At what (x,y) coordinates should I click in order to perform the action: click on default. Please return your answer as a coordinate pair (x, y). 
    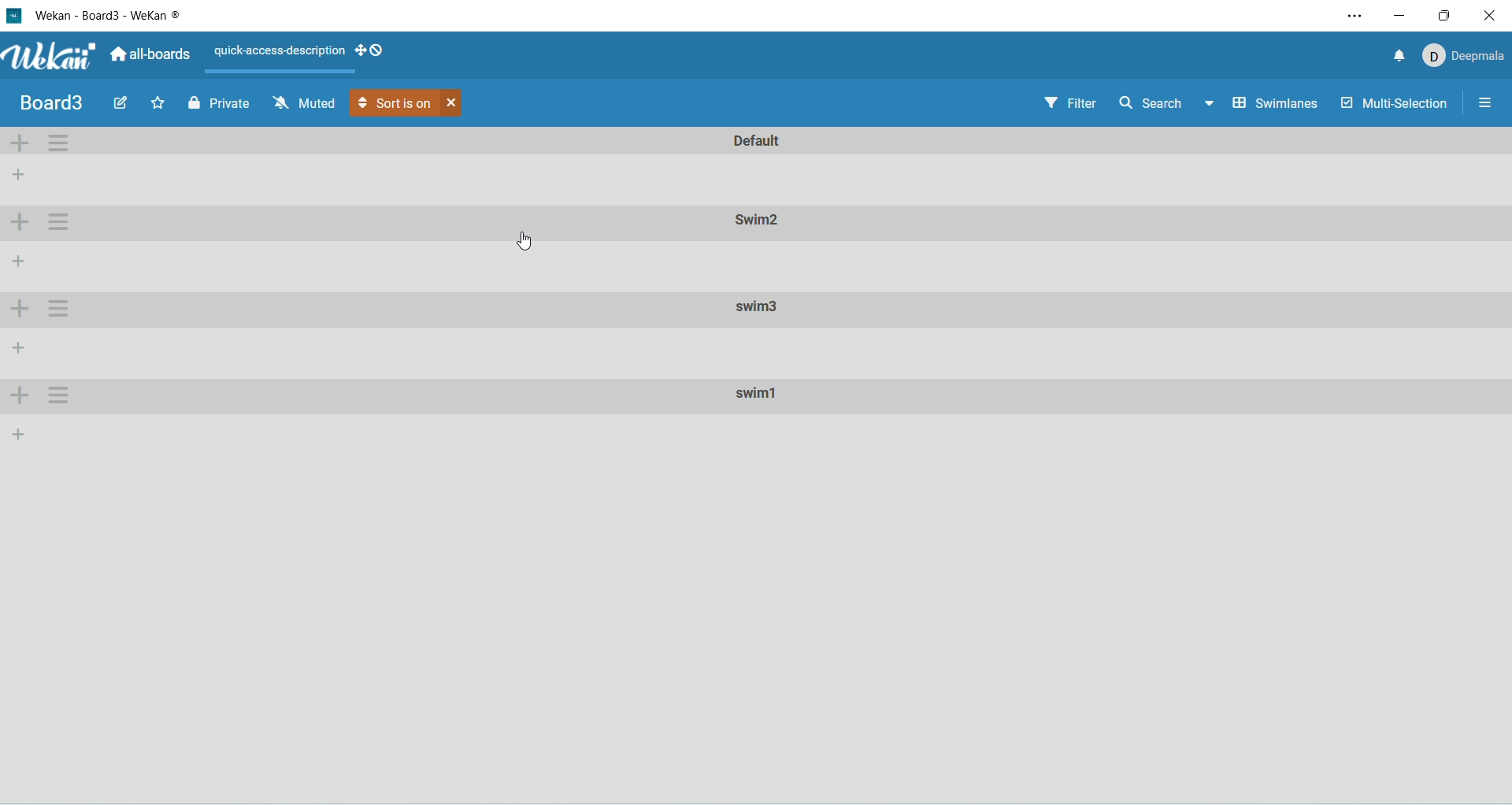
    Looking at the image, I should click on (760, 140).